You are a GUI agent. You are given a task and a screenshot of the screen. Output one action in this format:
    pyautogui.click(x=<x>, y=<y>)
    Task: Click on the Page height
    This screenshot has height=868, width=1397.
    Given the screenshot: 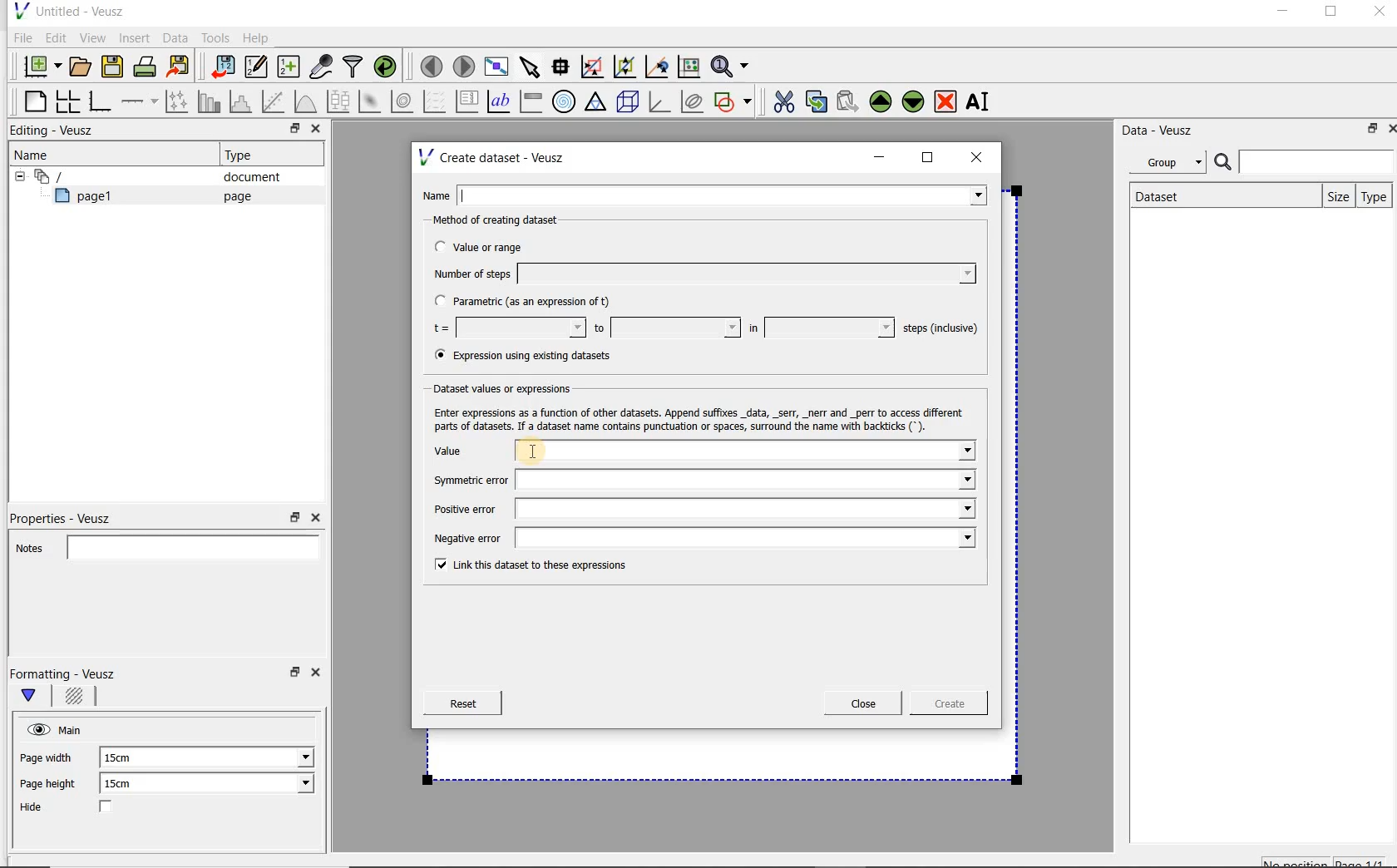 What is the action you would take?
    pyautogui.click(x=53, y=786)
    